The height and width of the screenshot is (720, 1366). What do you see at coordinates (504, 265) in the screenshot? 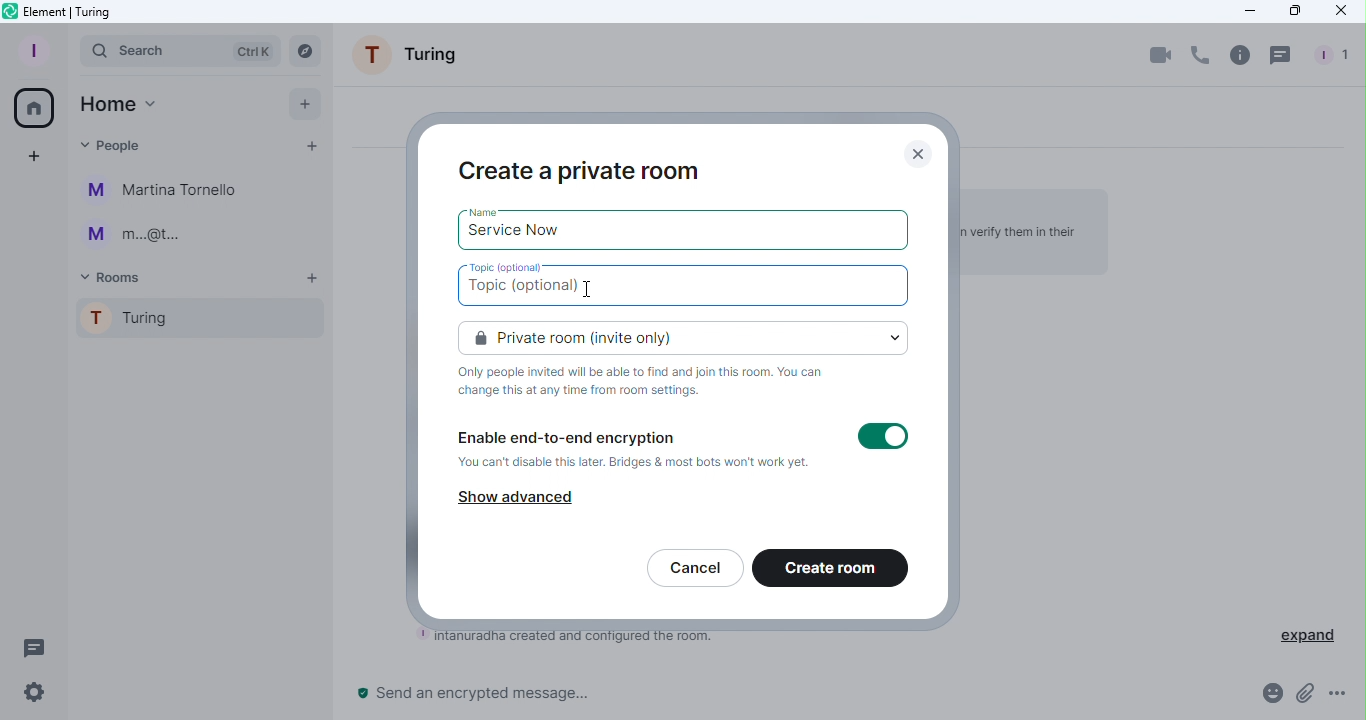
I see `Topic ` at bounding box center [504, 265].